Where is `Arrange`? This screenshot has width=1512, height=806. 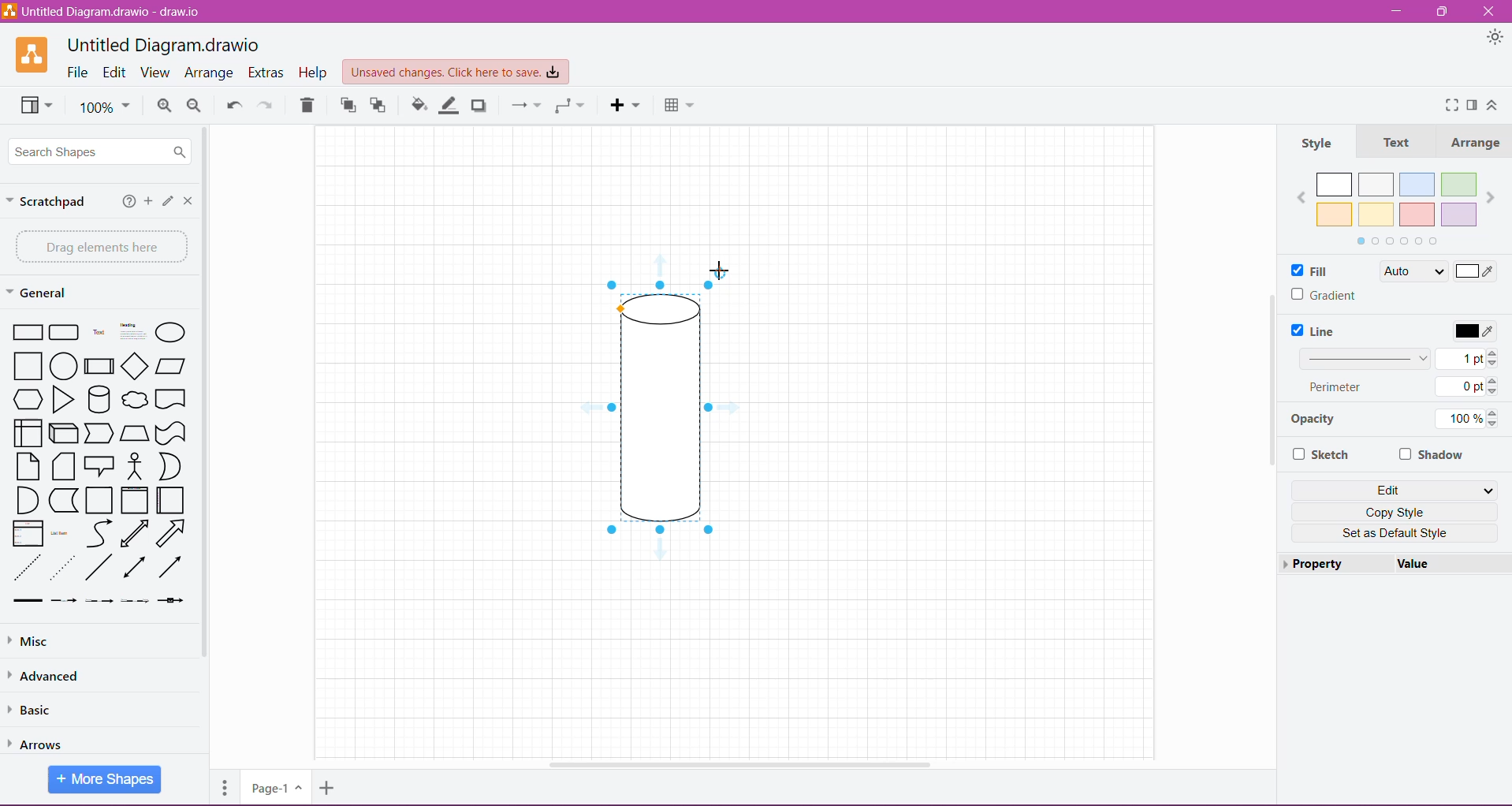 Arrange is located at coordinates (1475, 141).